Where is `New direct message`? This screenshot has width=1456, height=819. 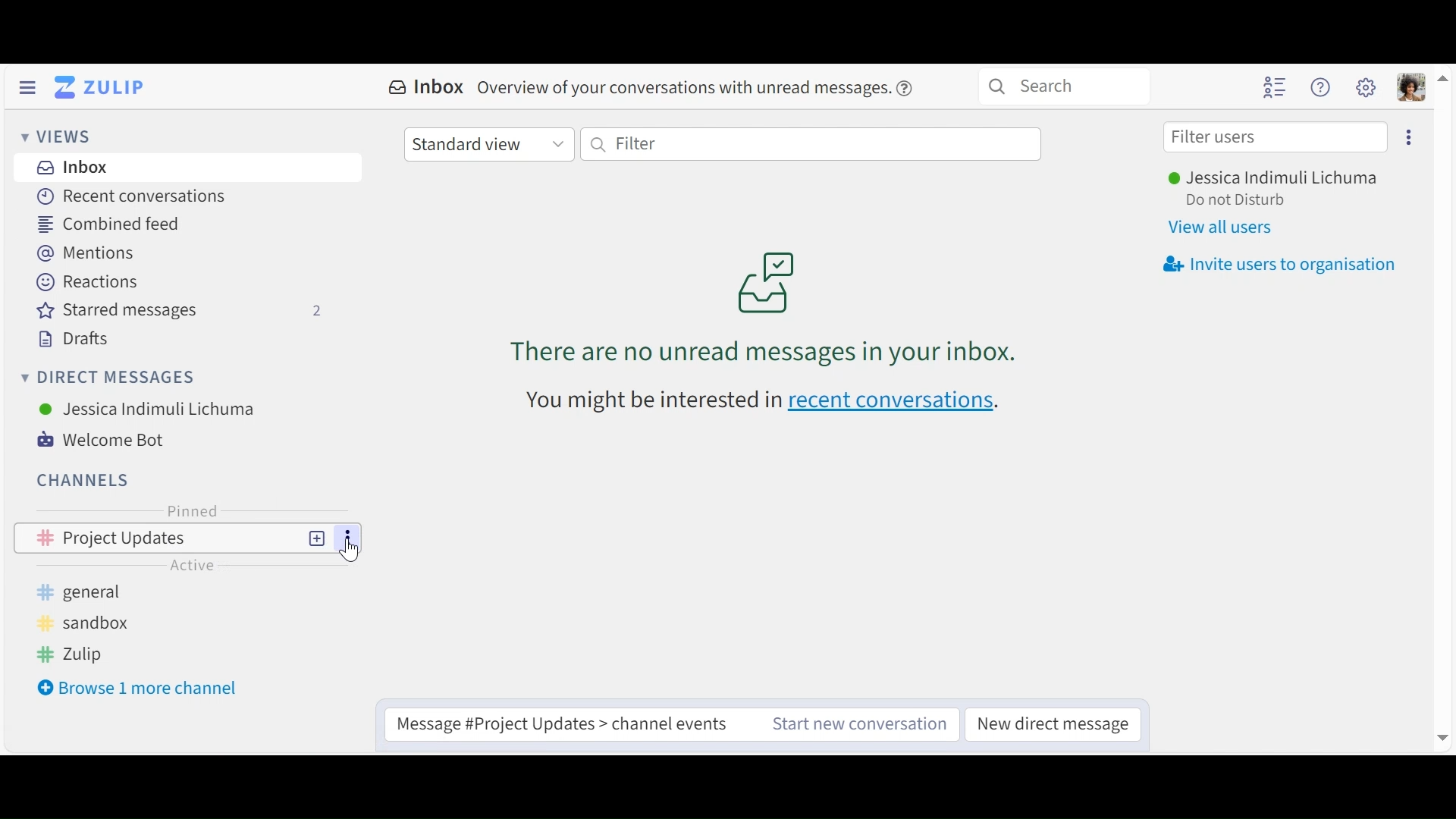
New direct message is located at coordinates (1052, 726).